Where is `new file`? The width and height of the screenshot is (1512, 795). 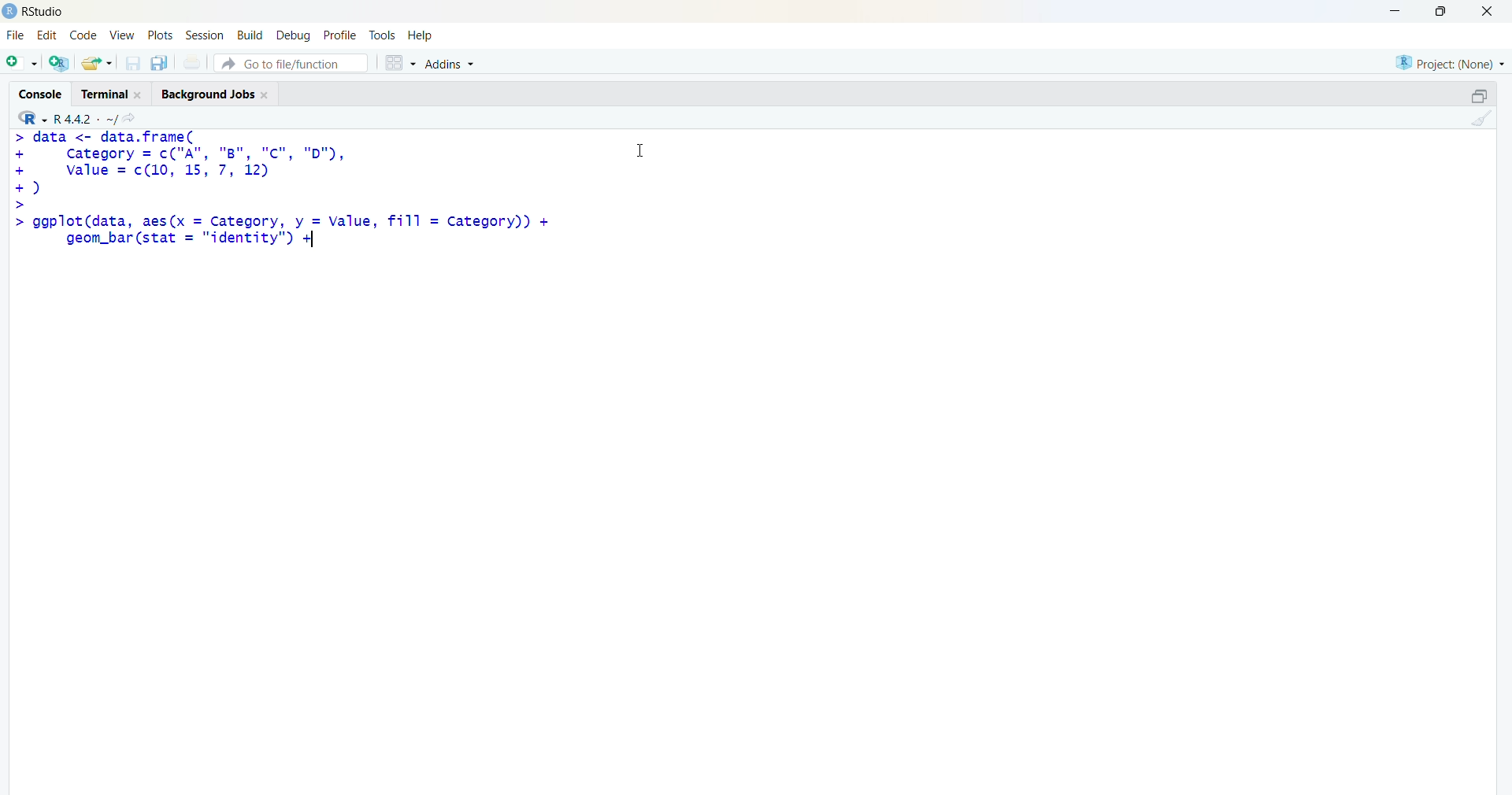 new file is located at coordinates (21, 61).